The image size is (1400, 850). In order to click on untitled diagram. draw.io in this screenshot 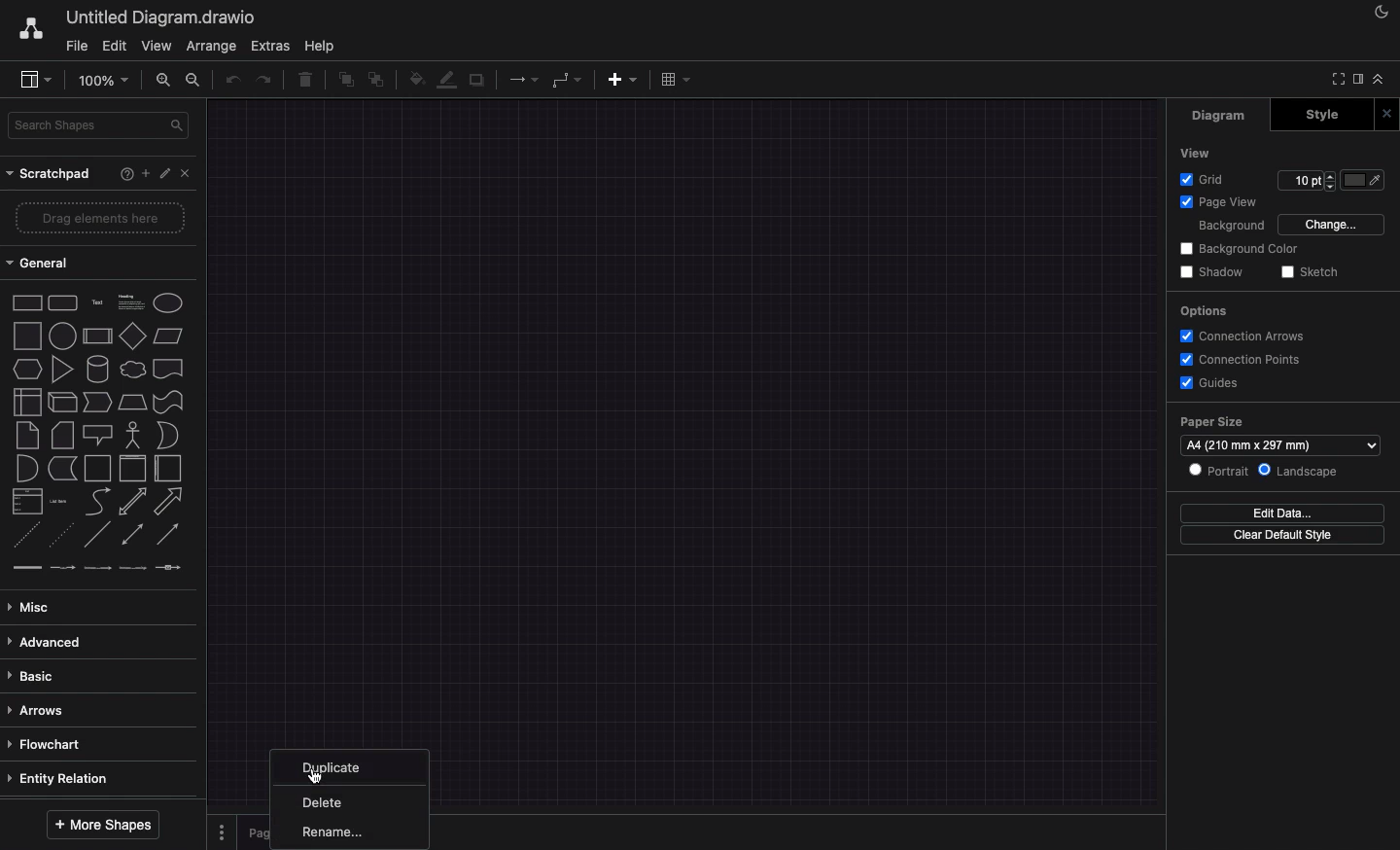, I will do `click(160, 18)`.